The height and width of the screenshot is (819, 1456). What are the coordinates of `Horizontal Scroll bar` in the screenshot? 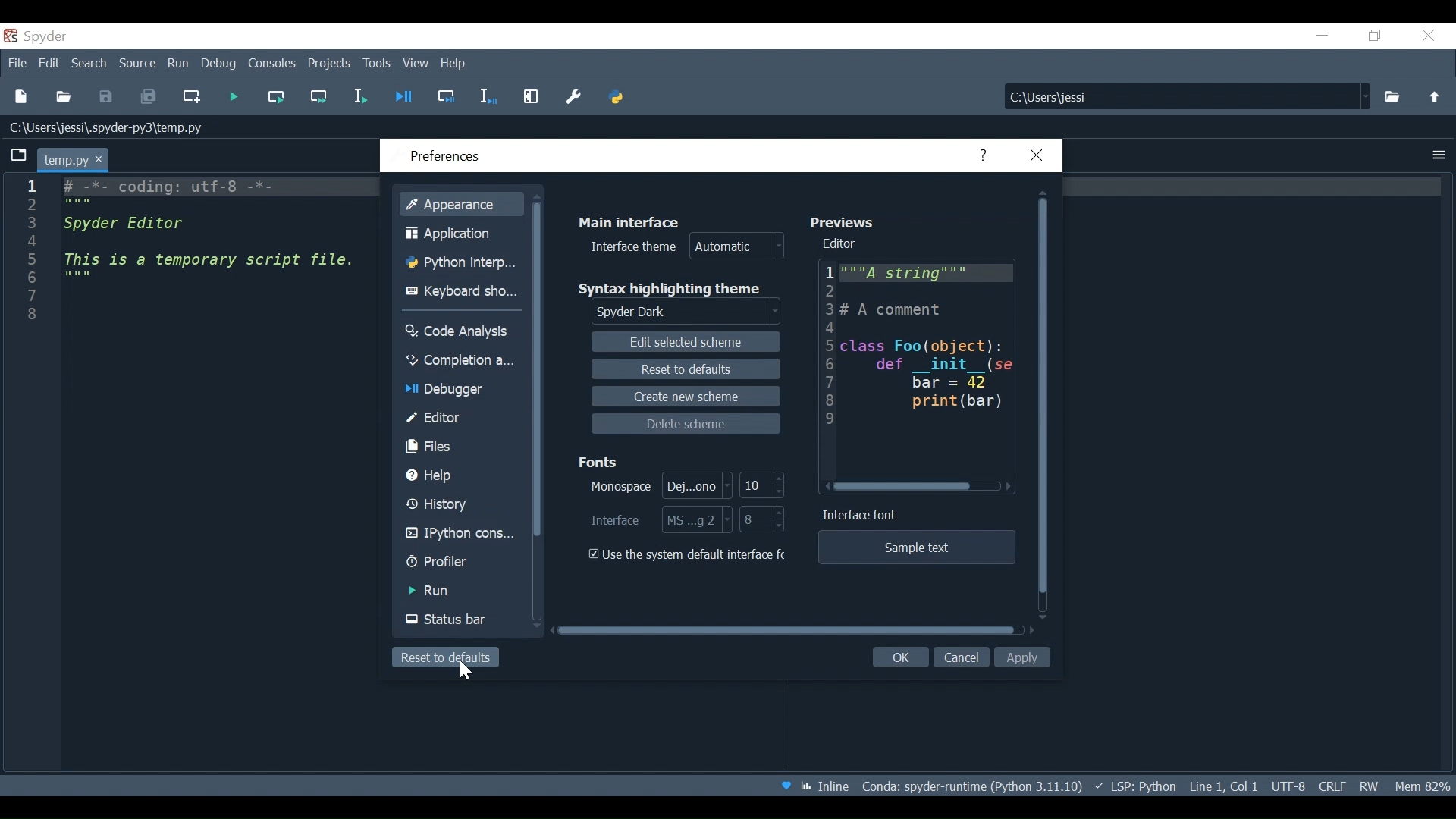 It's located at (905, 487).